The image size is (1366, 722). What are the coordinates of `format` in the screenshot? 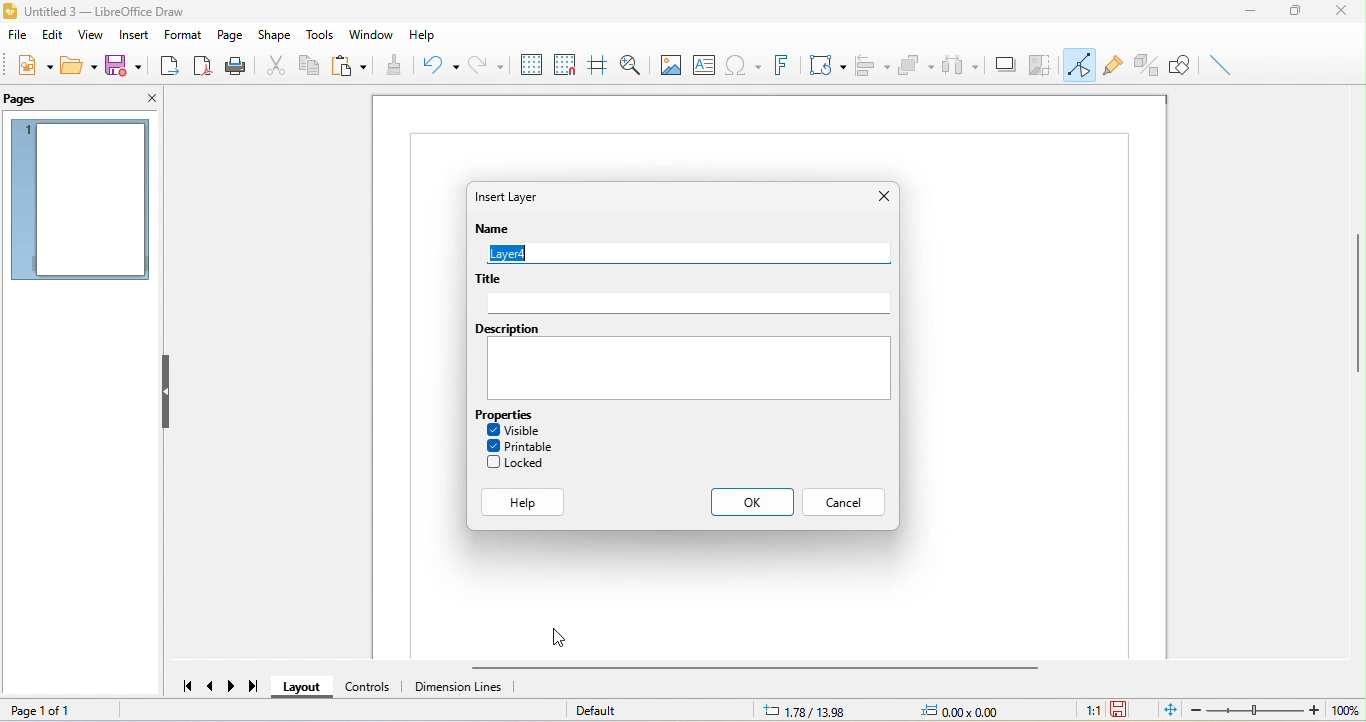 It's located at (181, 35).